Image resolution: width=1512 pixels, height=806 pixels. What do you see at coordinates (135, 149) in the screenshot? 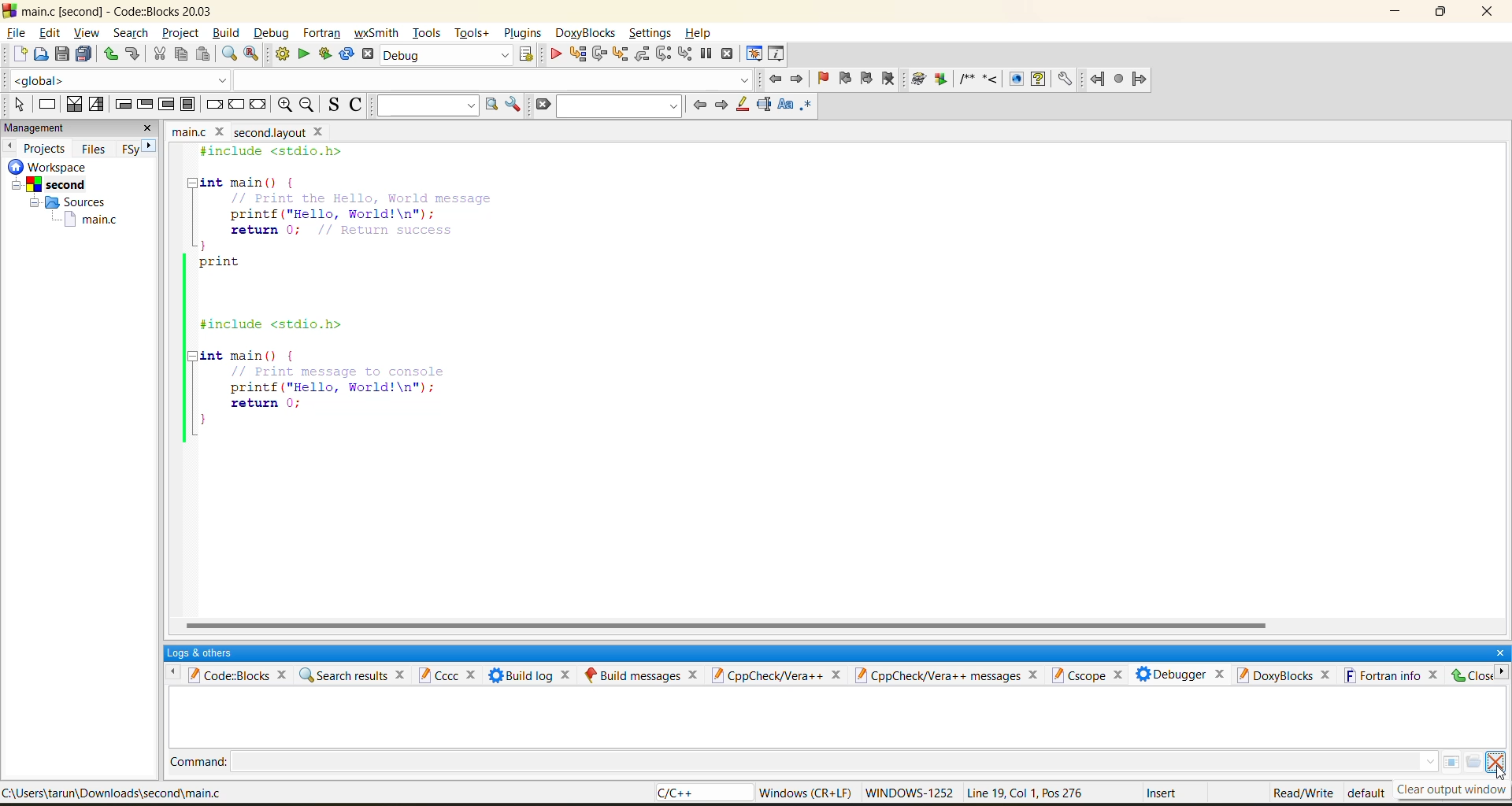
I see `FSy next` at bounding box center [135, 149].